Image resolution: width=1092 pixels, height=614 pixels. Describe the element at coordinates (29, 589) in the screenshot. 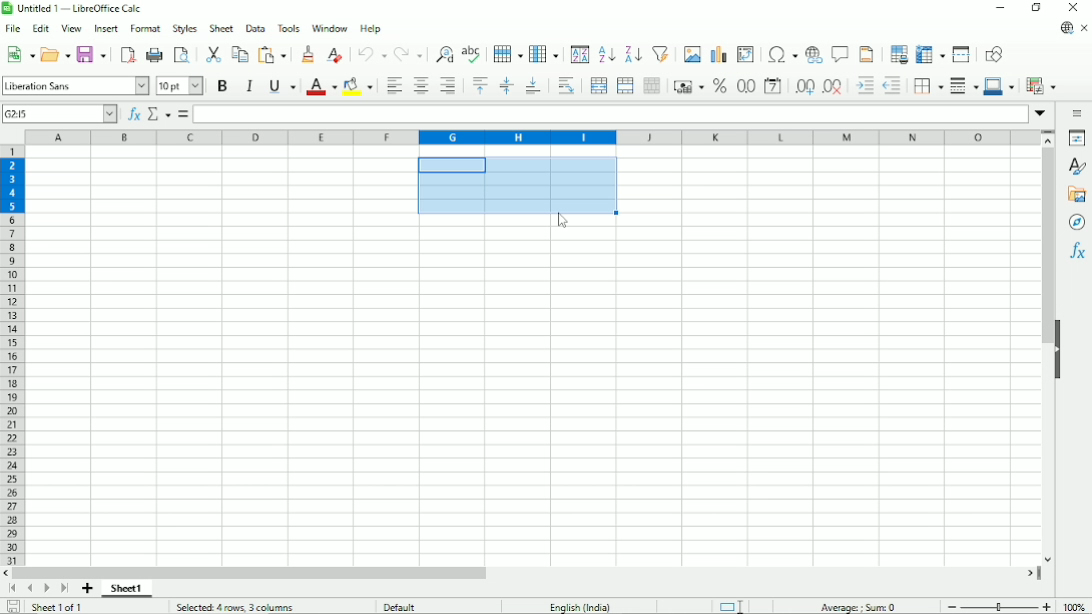

I see `Scroll to previous page` at that location.